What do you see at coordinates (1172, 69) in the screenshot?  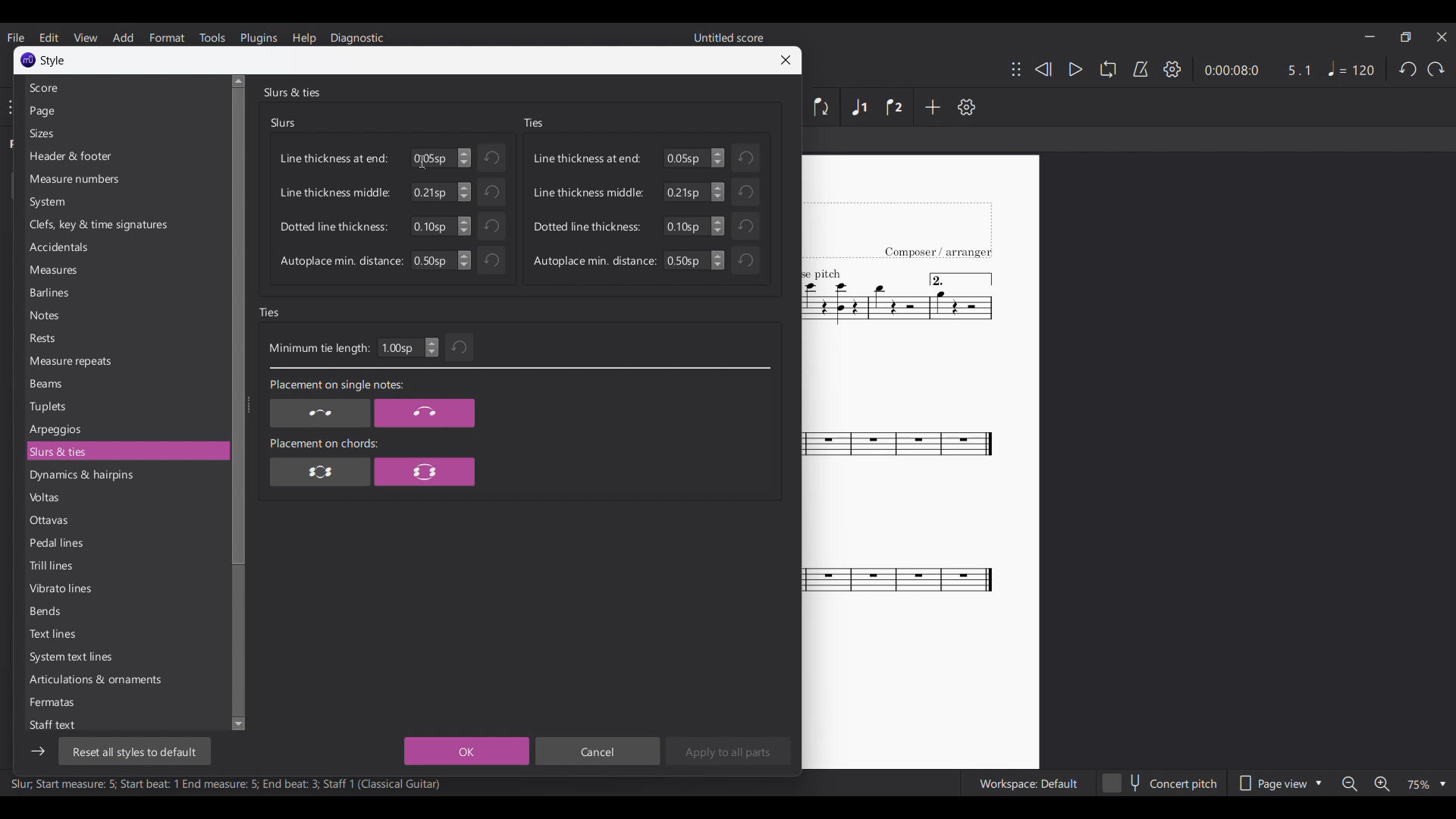 I see `Settings` at bounding box center [1172, 69].